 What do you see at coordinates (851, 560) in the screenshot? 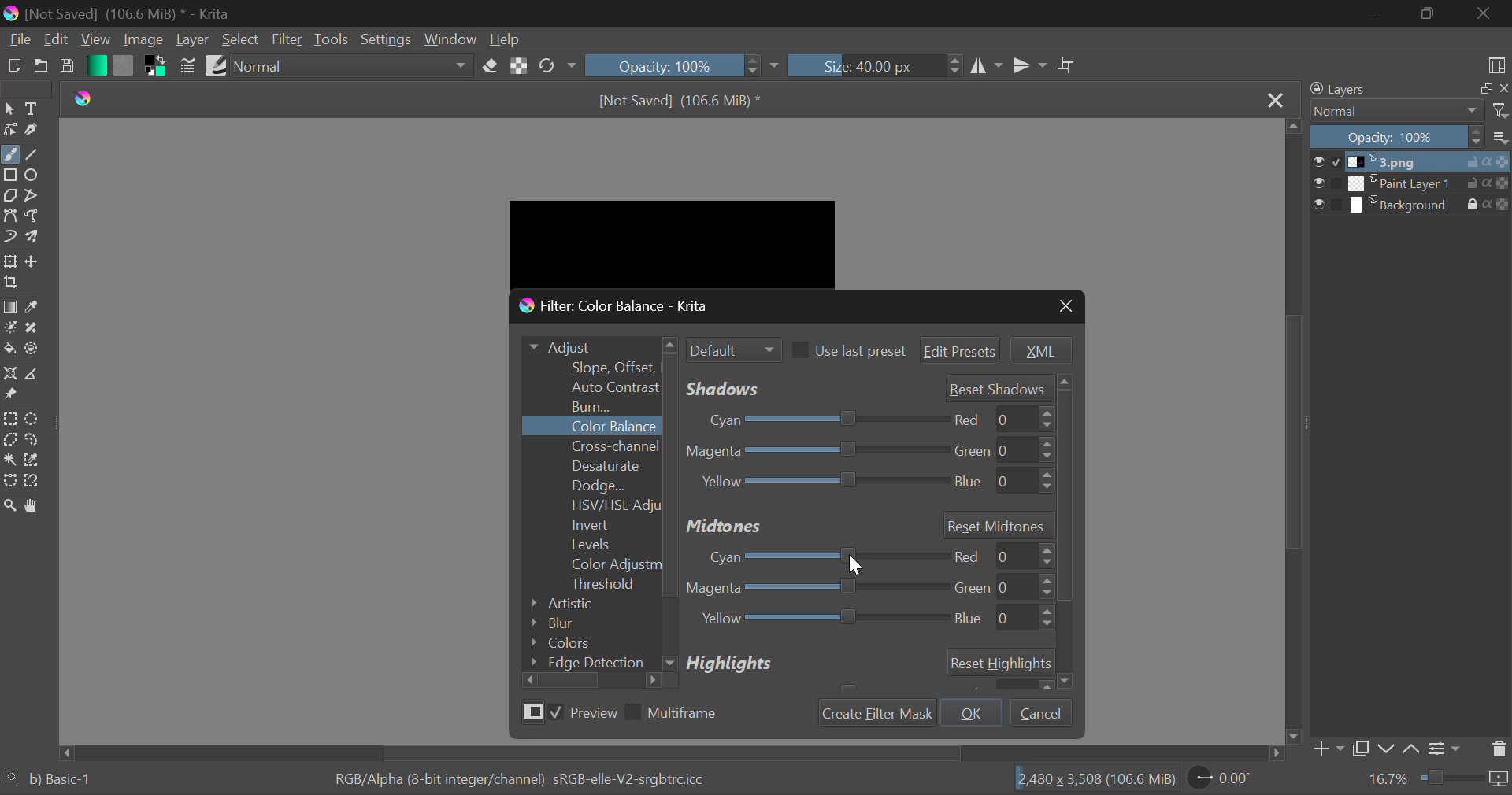
I see `MOUSE_DOWN Cursor Position` at bounding box center [851, 560].